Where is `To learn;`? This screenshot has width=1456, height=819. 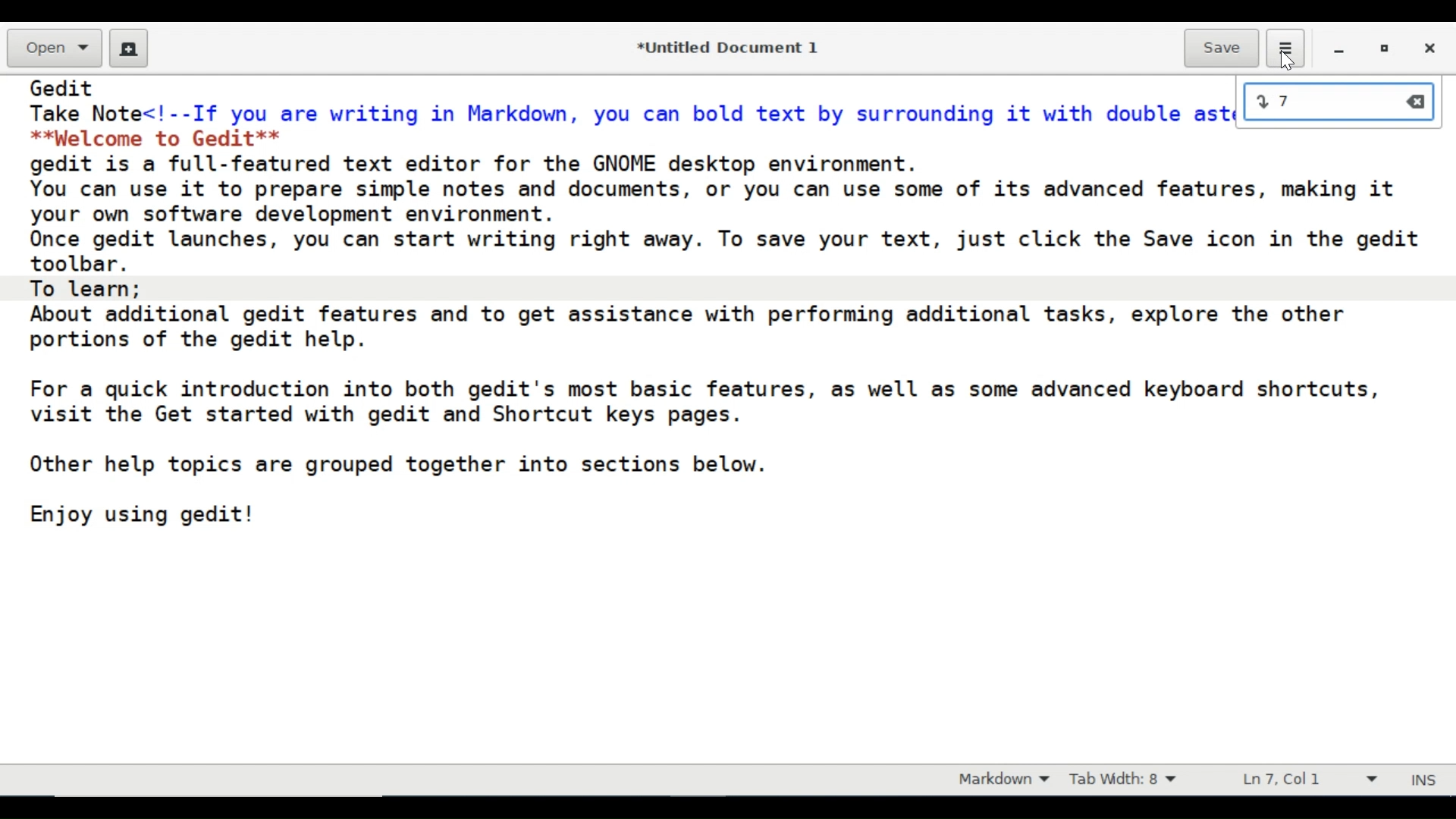
To learn; is located at coordinates (86, 288).